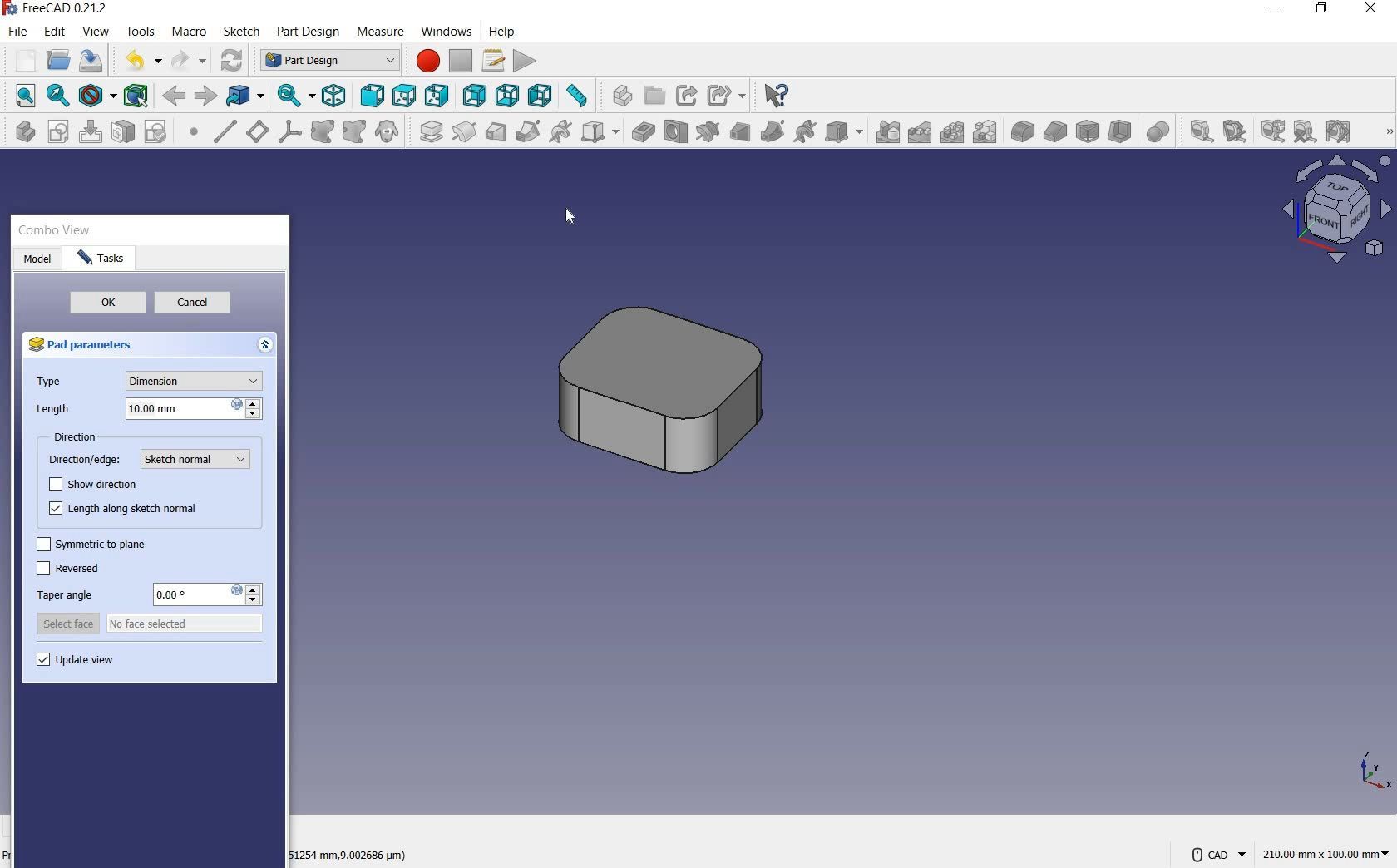 This screenshot has height=868, width=1397. I want to click on close, so click(1370, 12).